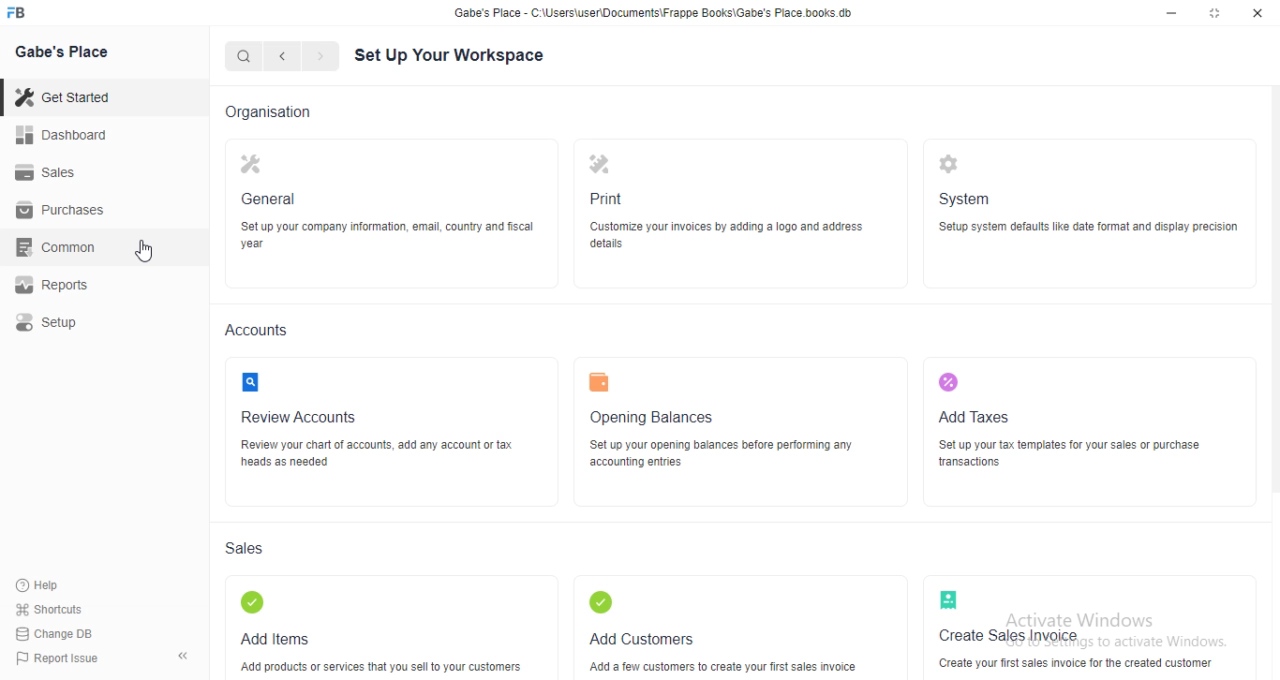 The width and height of the screenshot is (1280, 680). What do you see at coordinates (254, 163) in the screenshot?
I see `logo` at bounding box center [254, 163].